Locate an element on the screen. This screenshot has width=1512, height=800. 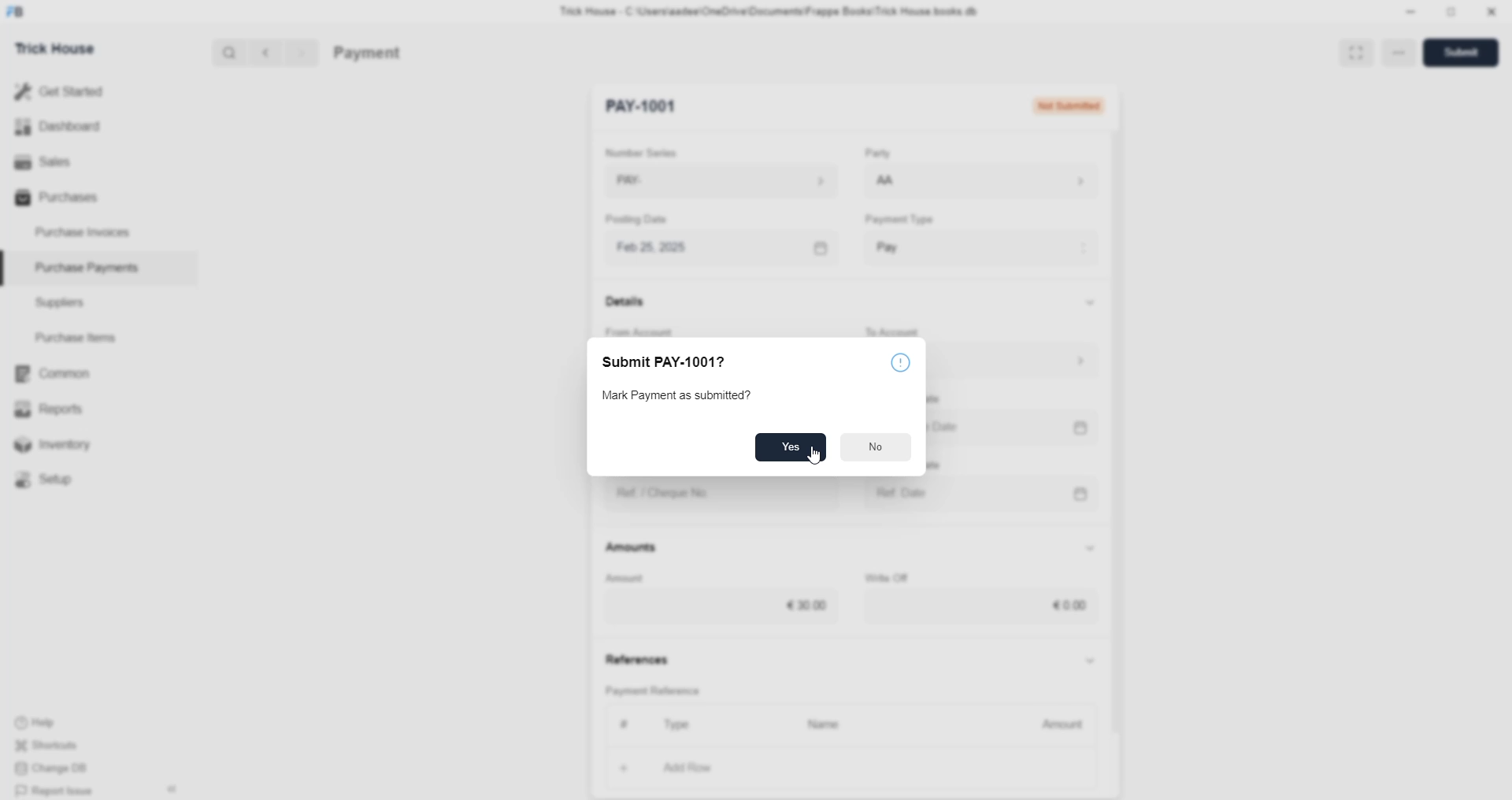
< is located at coordinates (262, 52).